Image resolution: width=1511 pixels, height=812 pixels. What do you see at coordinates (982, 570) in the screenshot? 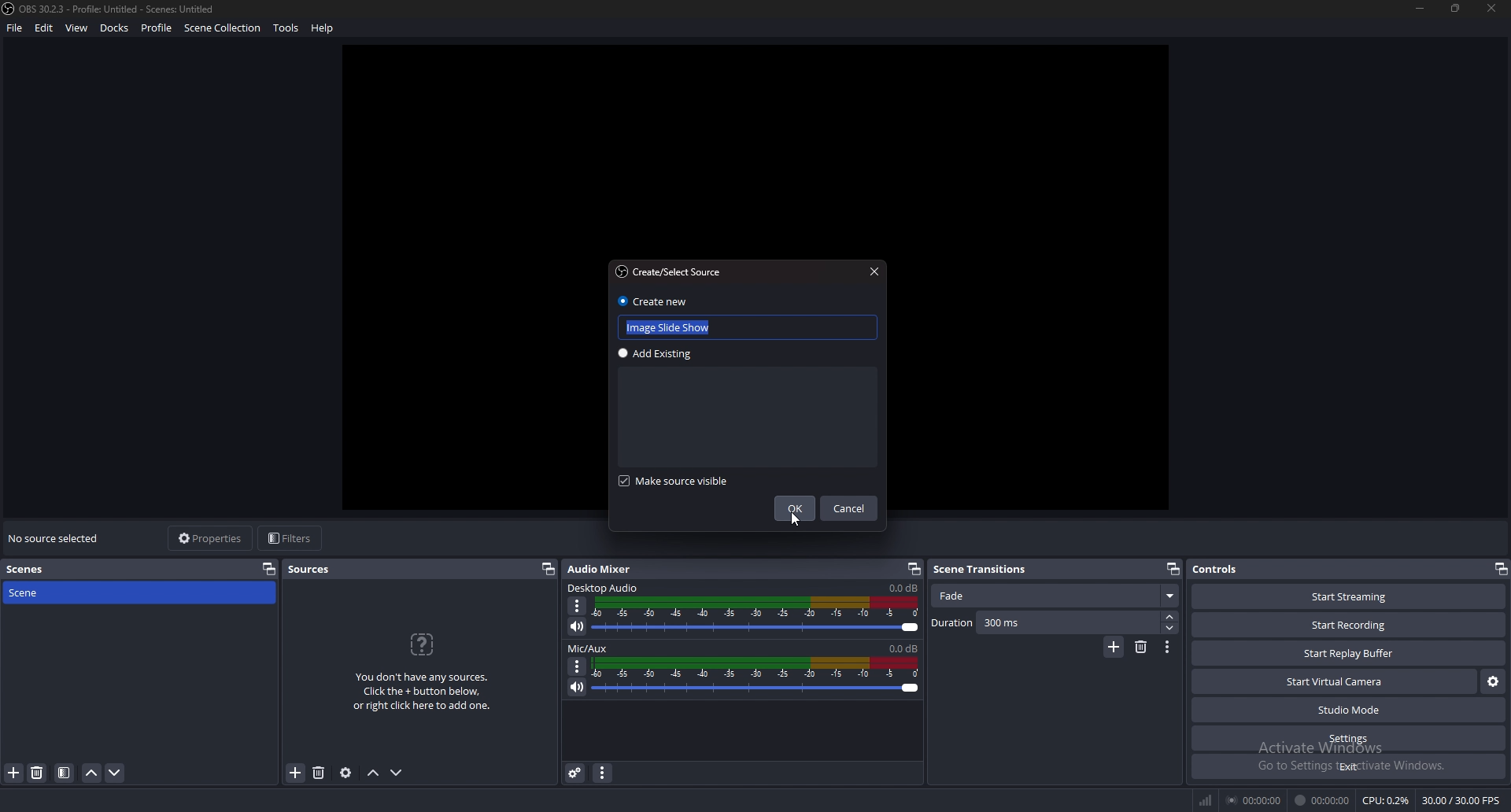
I see `scene transitions` at bounding box center [982, 570].